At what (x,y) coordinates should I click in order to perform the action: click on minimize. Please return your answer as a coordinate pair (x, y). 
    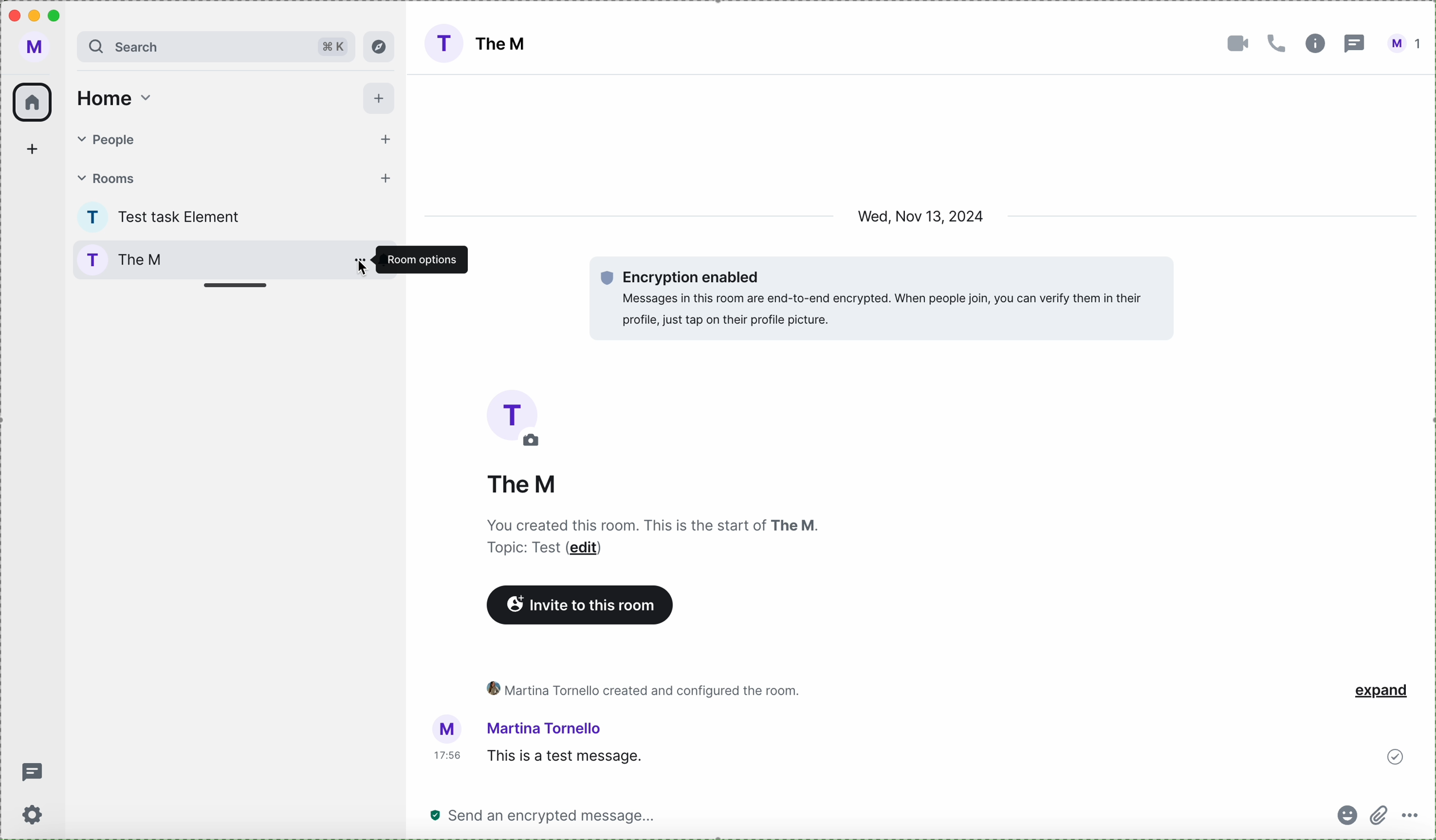
    Looking at the image, I should click on (35, 16).